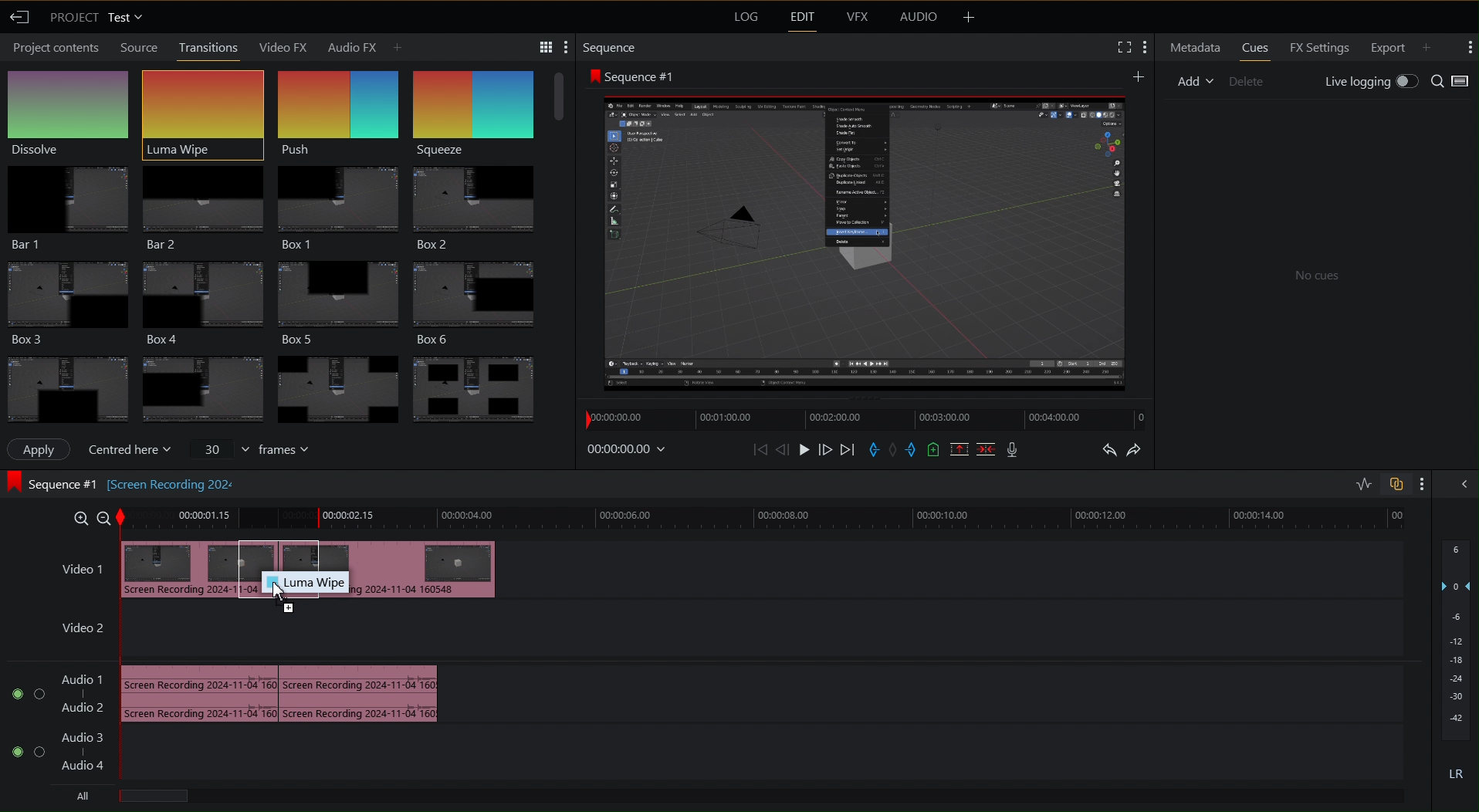  What do you see at coordinates (1106, 449) in the screenshot?
I see `Undo` at bounding box center [1106, 449].